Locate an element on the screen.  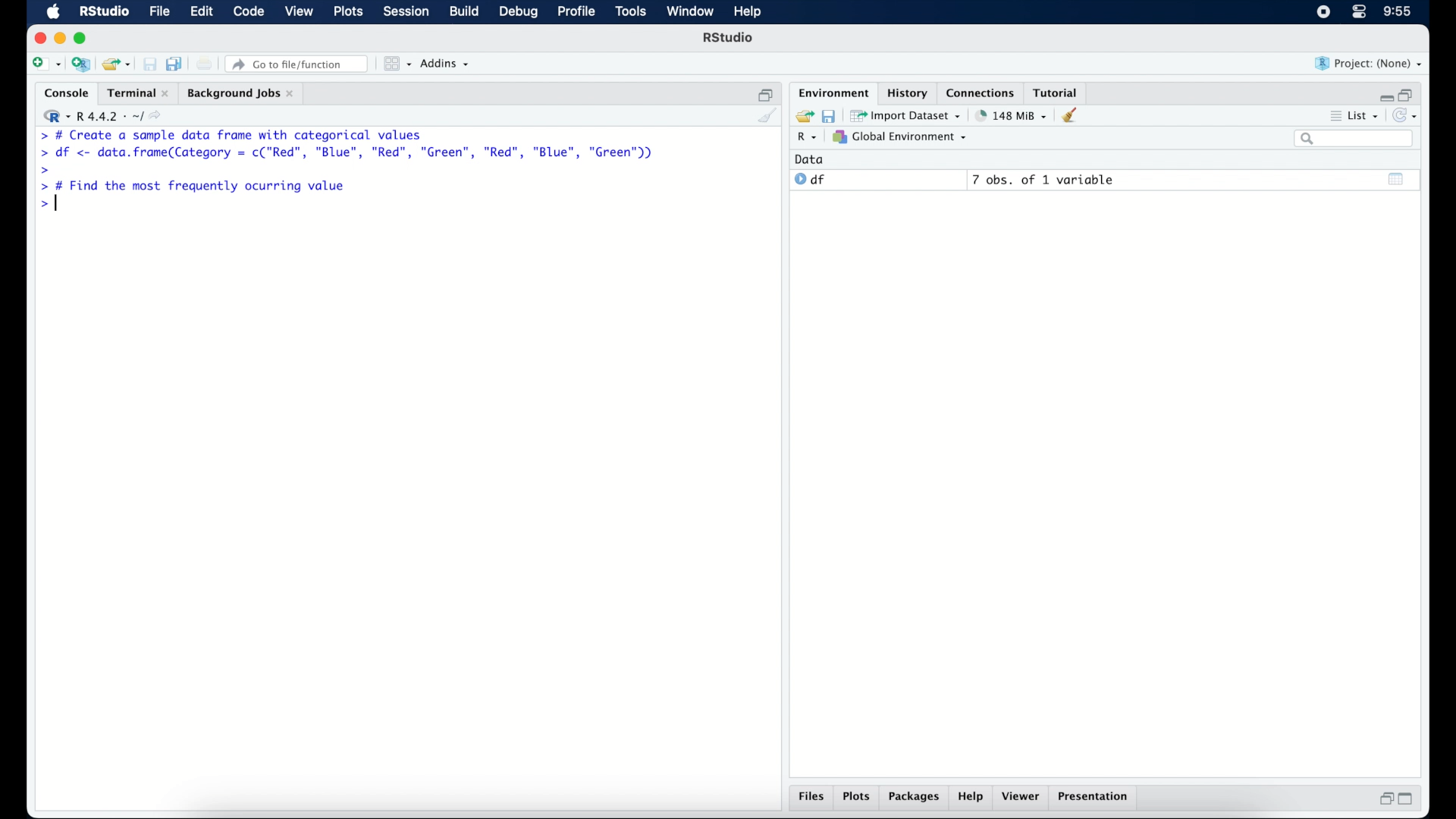
clear console is located at coordinates (768, 116).